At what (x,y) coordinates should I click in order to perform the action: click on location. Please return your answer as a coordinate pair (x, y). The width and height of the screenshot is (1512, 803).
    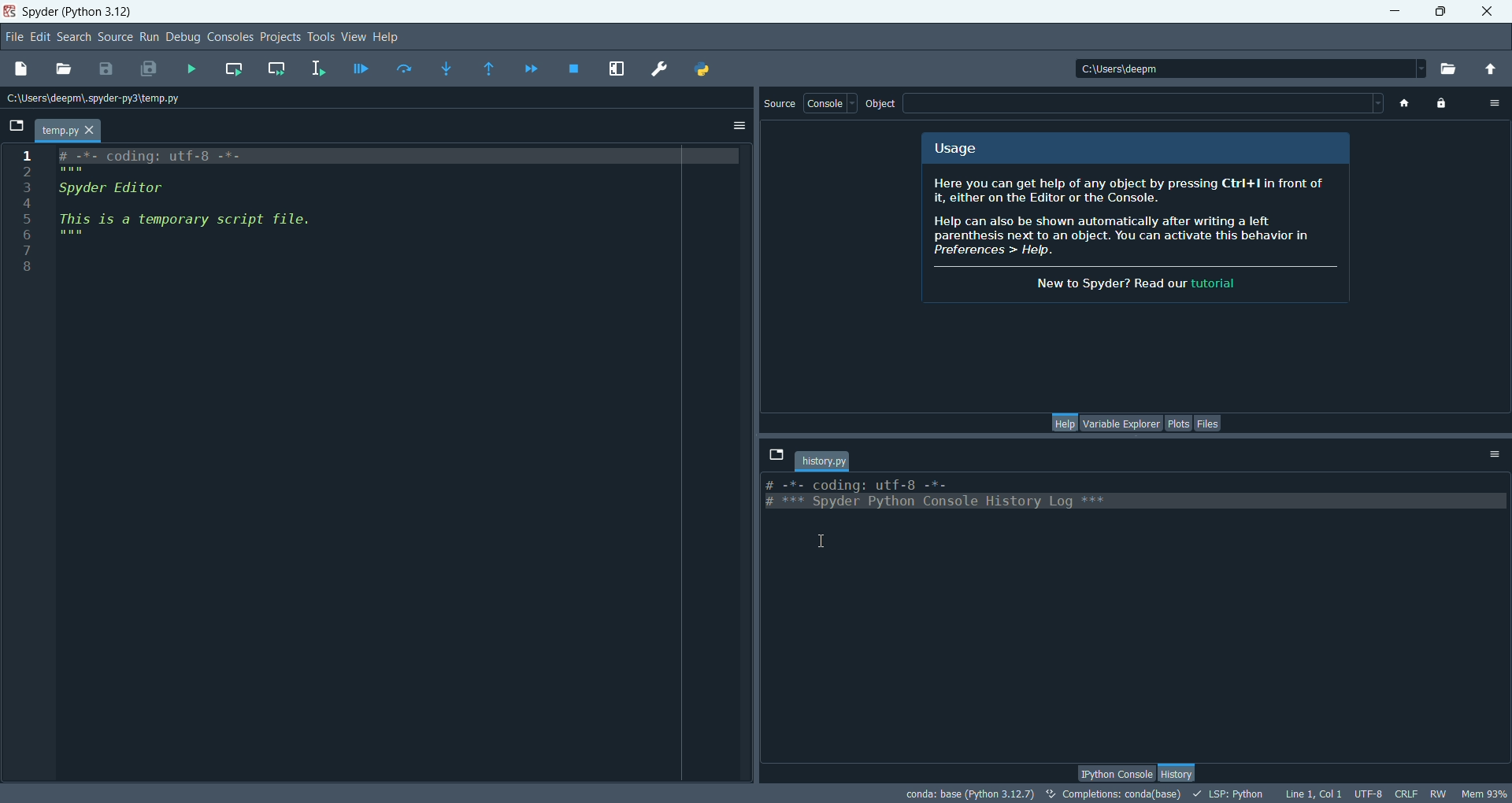
    Looking at the image, I should click on (1246, 68).